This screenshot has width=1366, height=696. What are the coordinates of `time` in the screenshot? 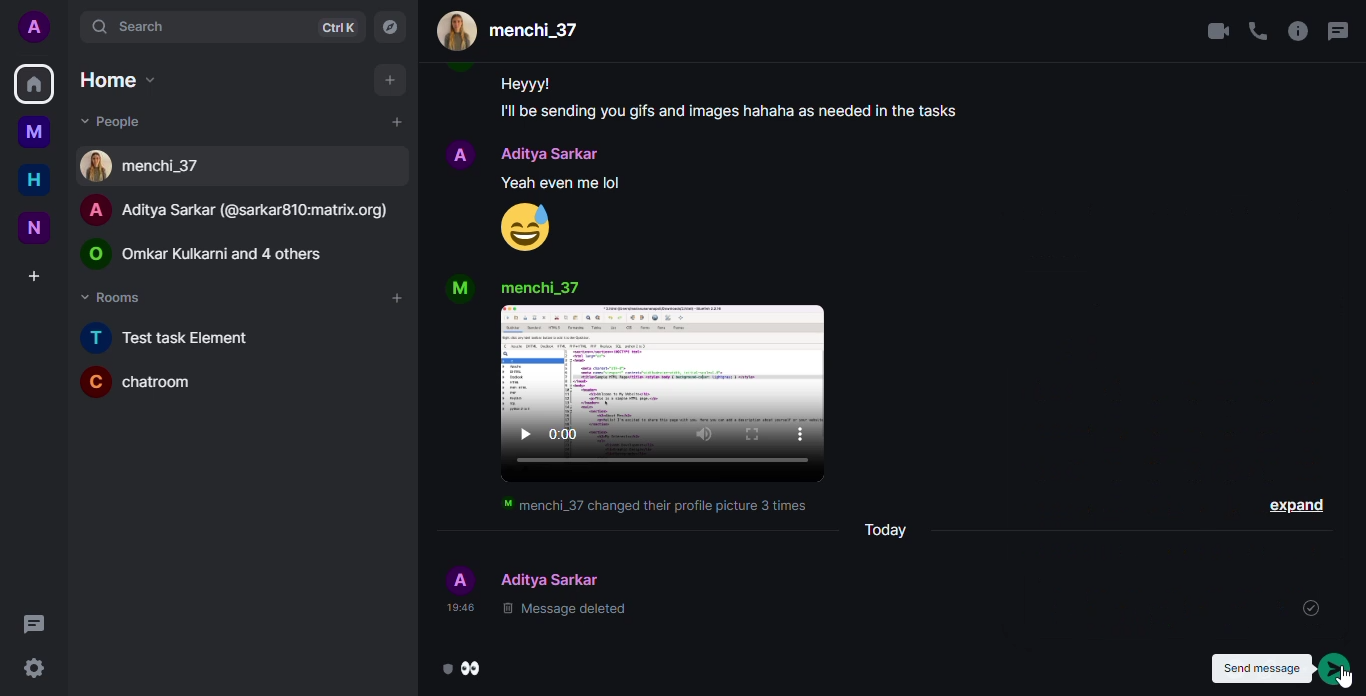 It's located at (455, 608).